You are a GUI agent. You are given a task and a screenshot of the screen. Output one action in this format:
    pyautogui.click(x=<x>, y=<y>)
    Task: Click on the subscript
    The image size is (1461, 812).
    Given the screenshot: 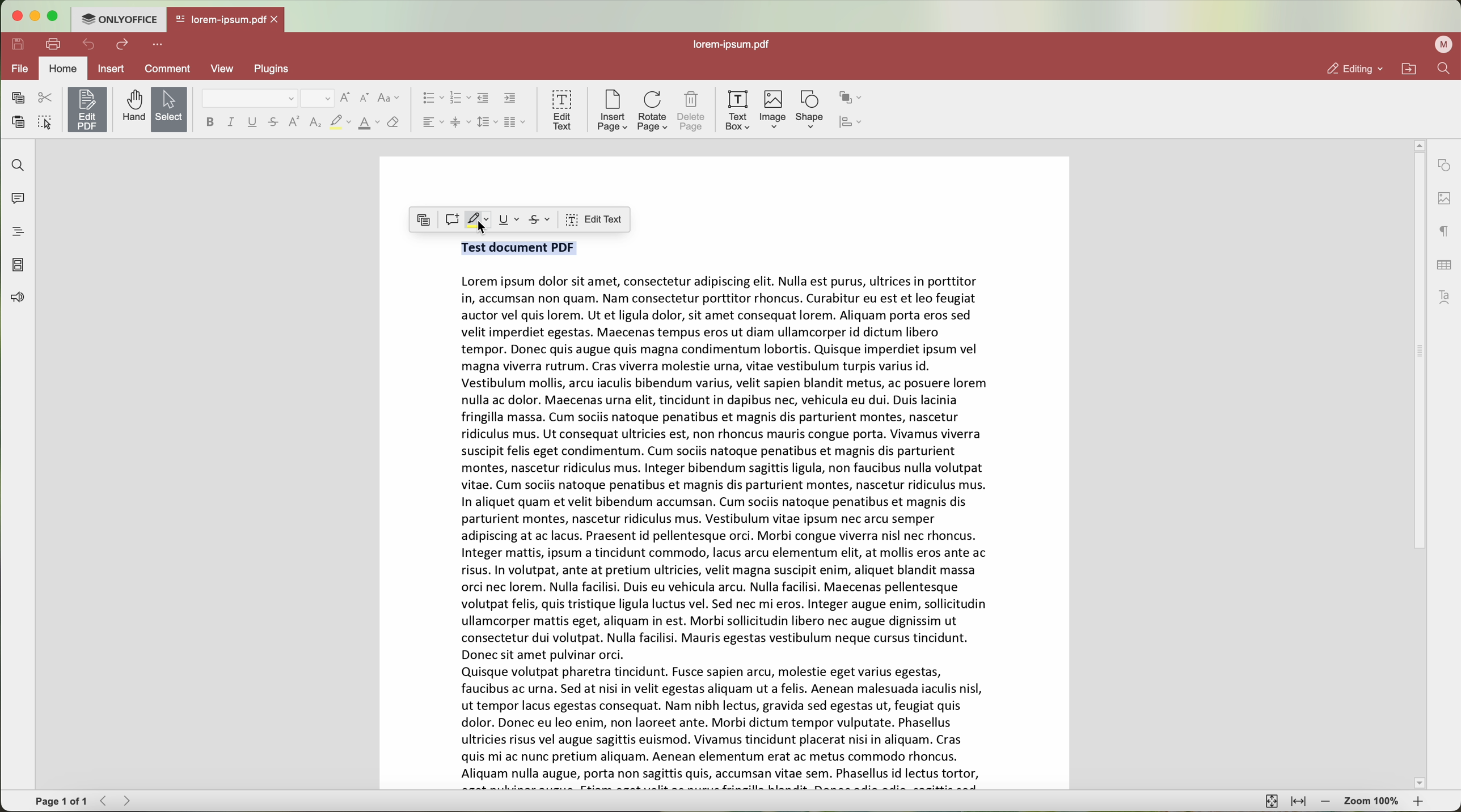 What is the action you would take?
    pyautogui.click(x=315, y=124)
    